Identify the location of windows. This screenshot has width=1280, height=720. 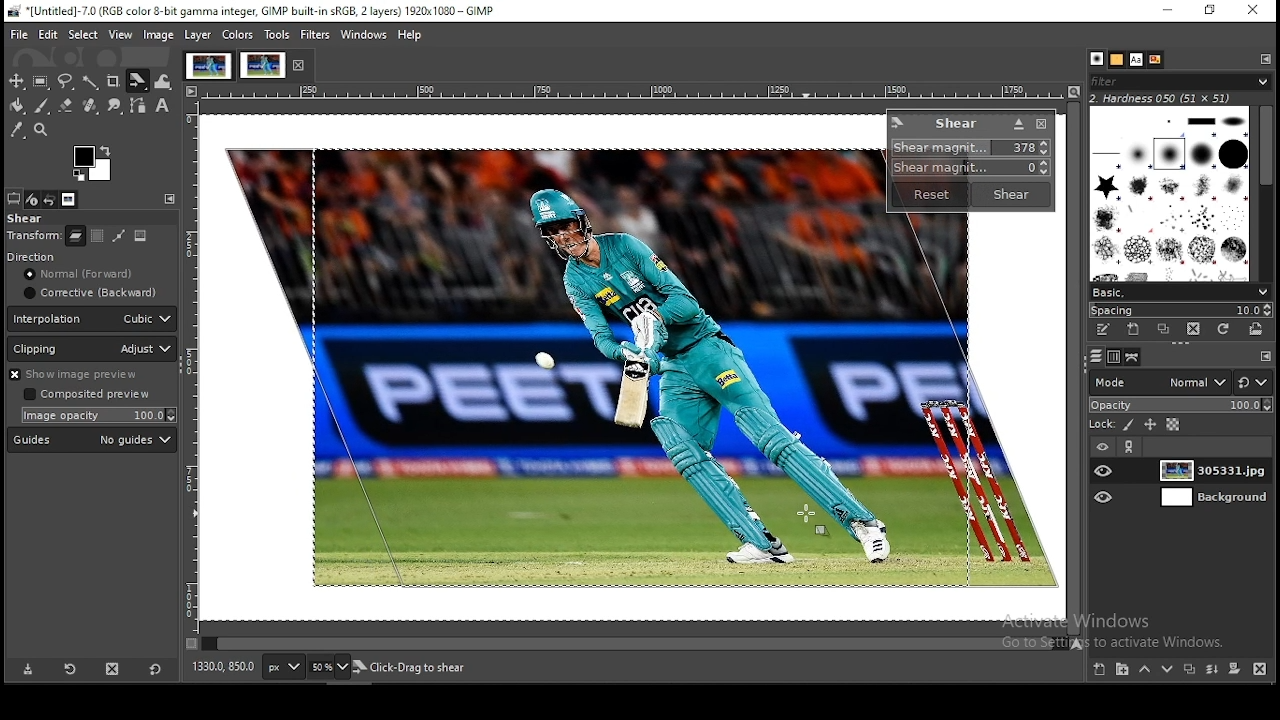
(365, 35).